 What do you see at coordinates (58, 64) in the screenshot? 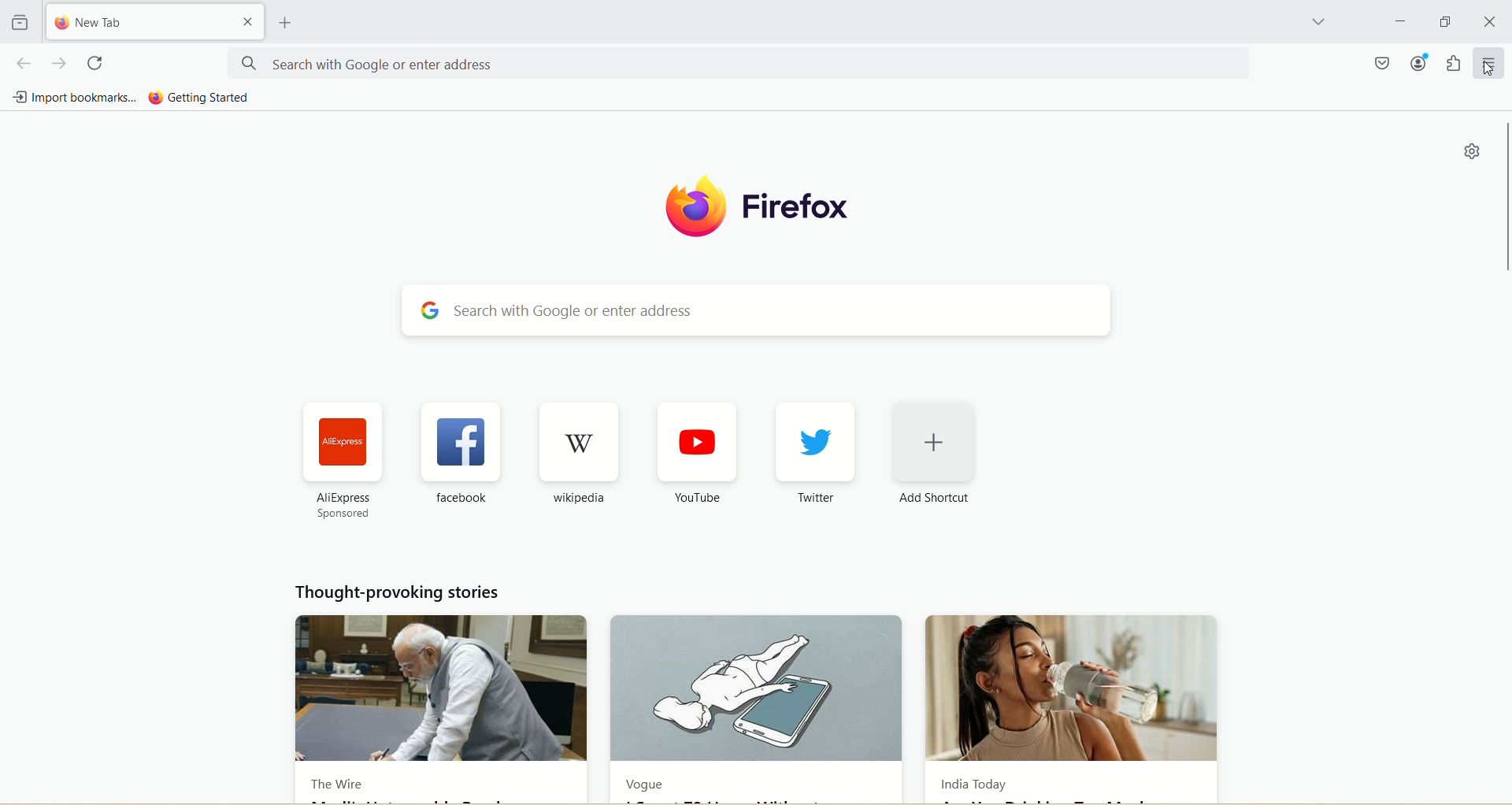
I see `go forward one page` at bounding box center [58, 64].